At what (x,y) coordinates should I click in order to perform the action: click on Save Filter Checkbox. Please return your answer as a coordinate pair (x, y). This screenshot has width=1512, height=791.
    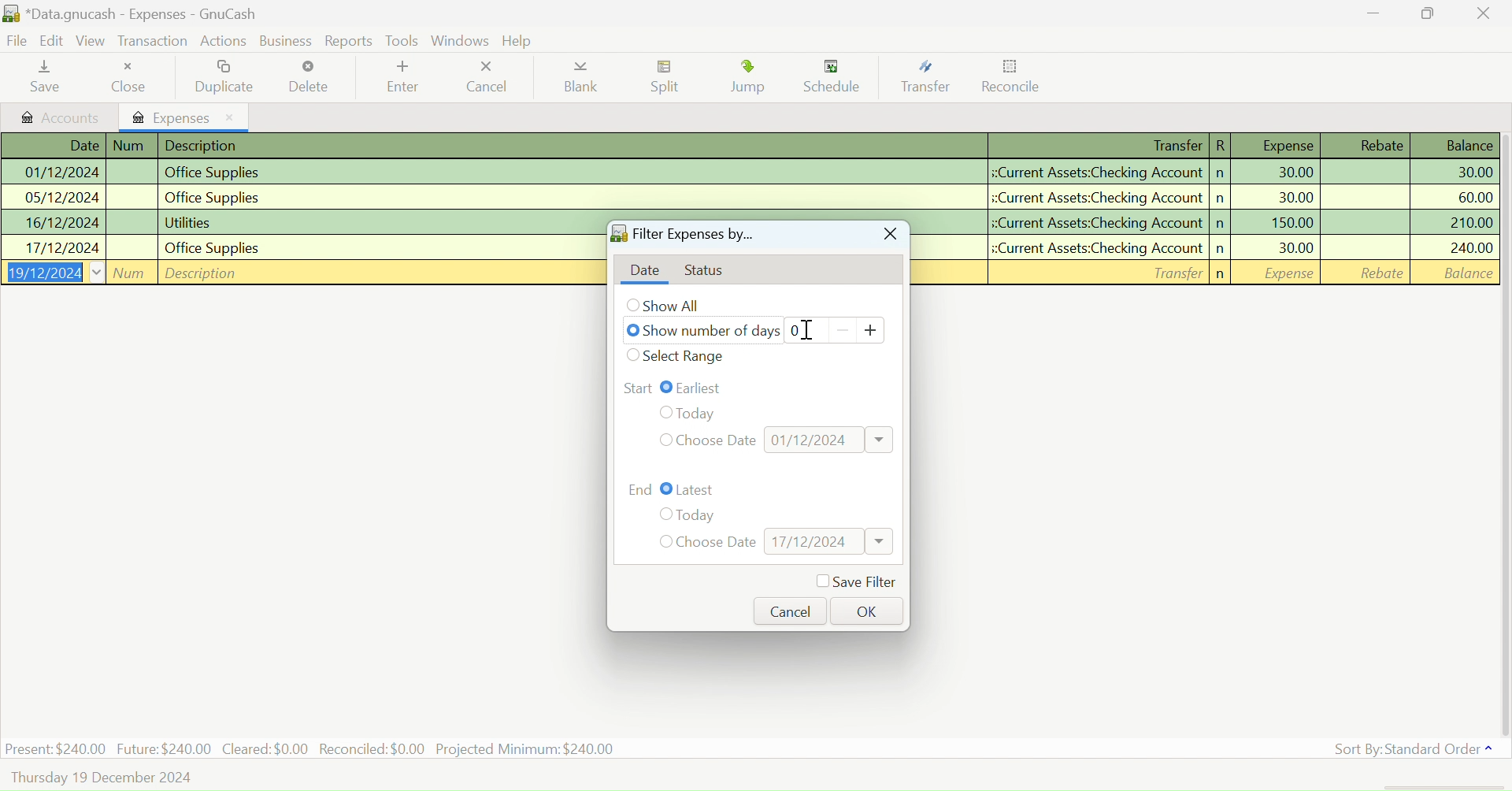
    Looking at the image, I should click on (855, 582).